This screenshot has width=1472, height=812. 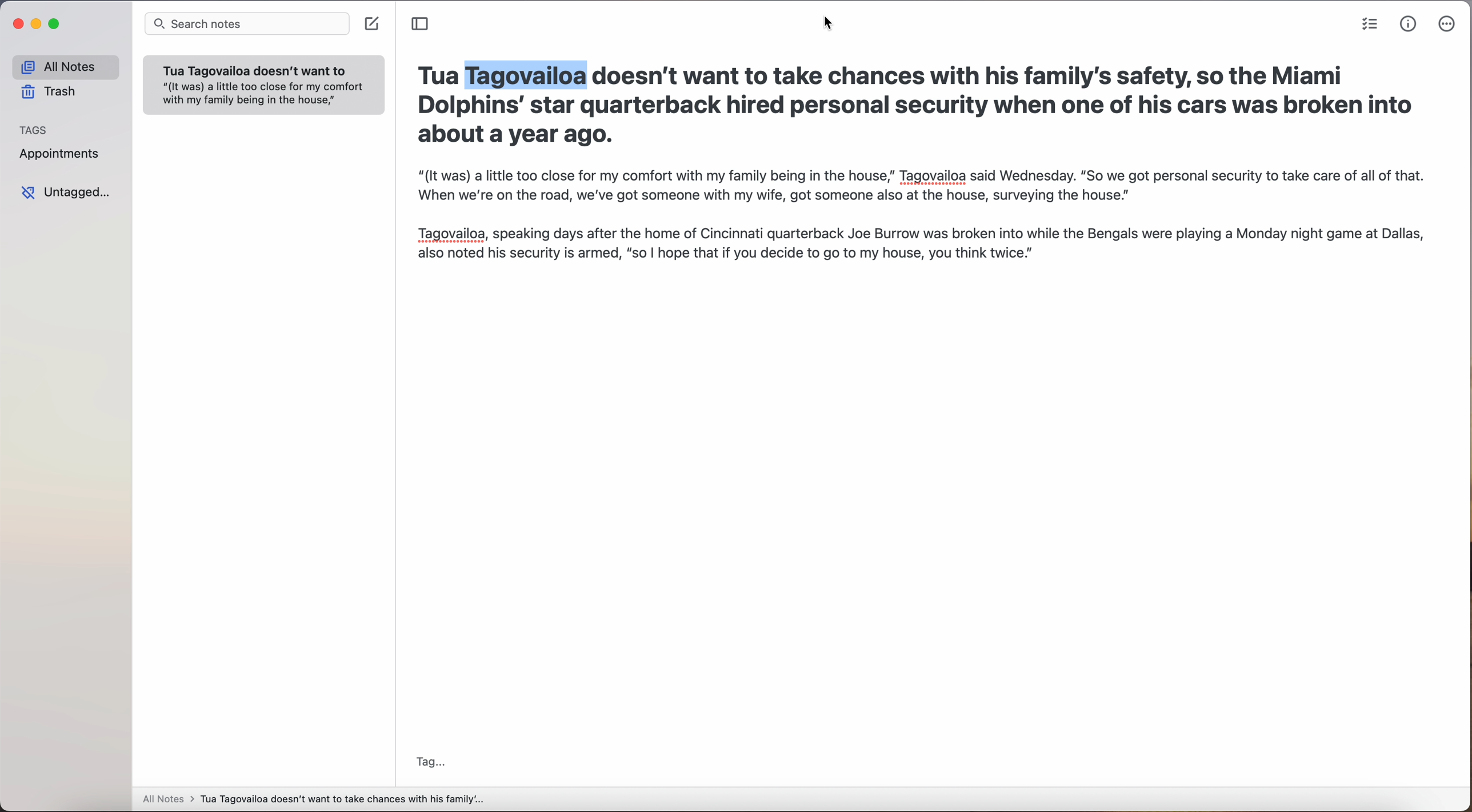 I want to click on maximize Simplenote, so click(x=56, y=24).